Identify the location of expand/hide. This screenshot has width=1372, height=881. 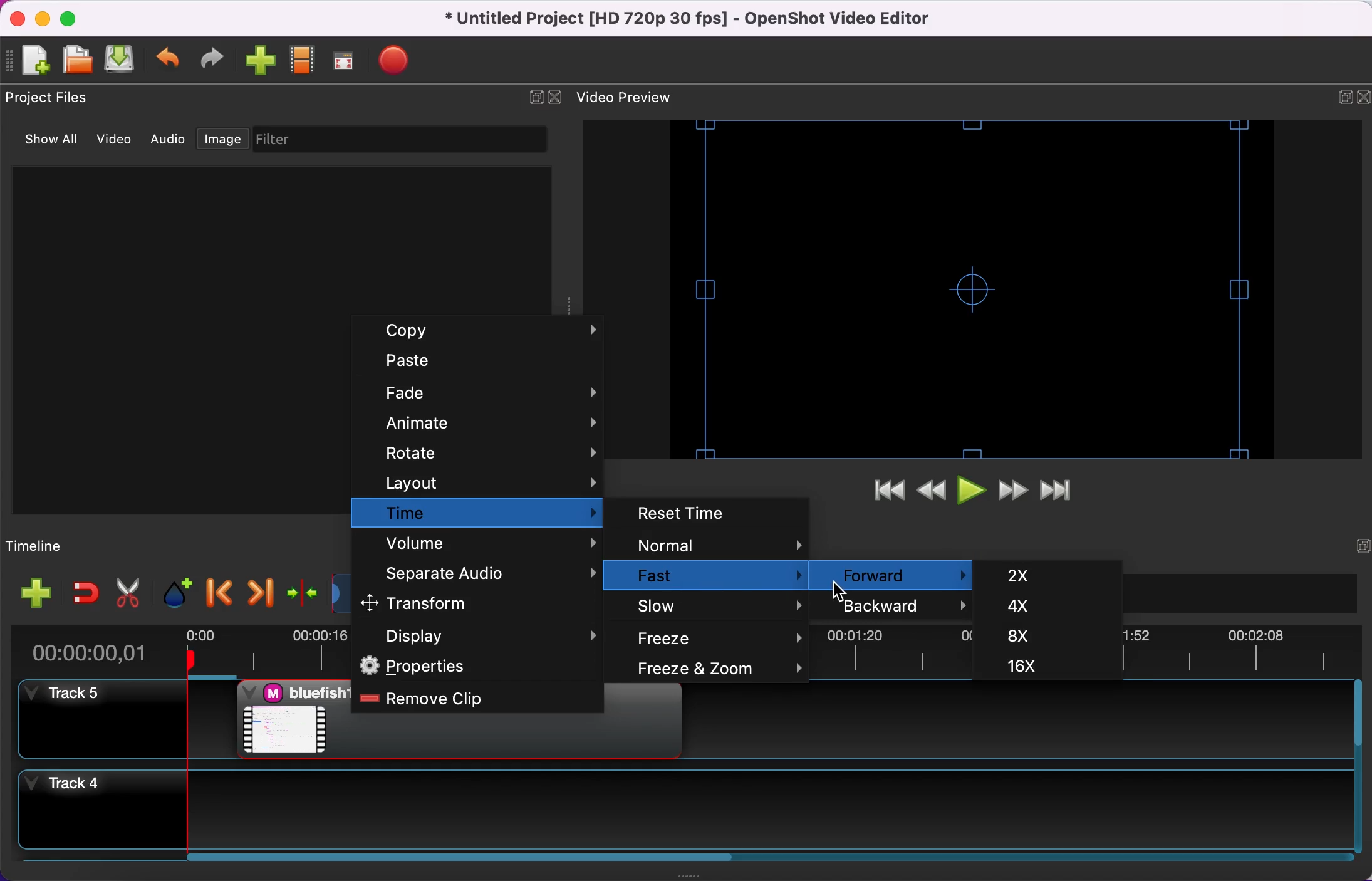
(536, 102).